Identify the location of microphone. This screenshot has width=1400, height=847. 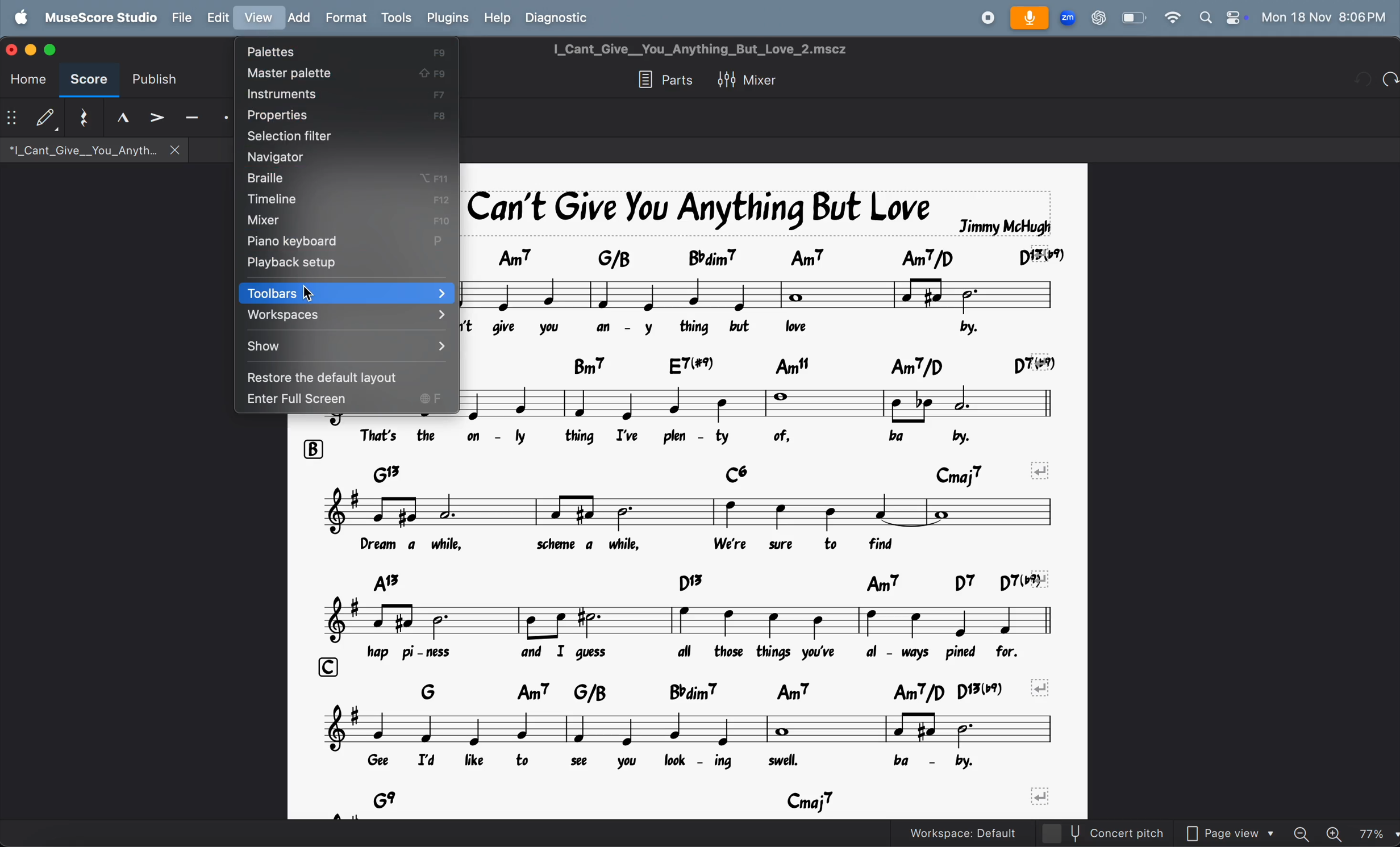
(1032, 16).